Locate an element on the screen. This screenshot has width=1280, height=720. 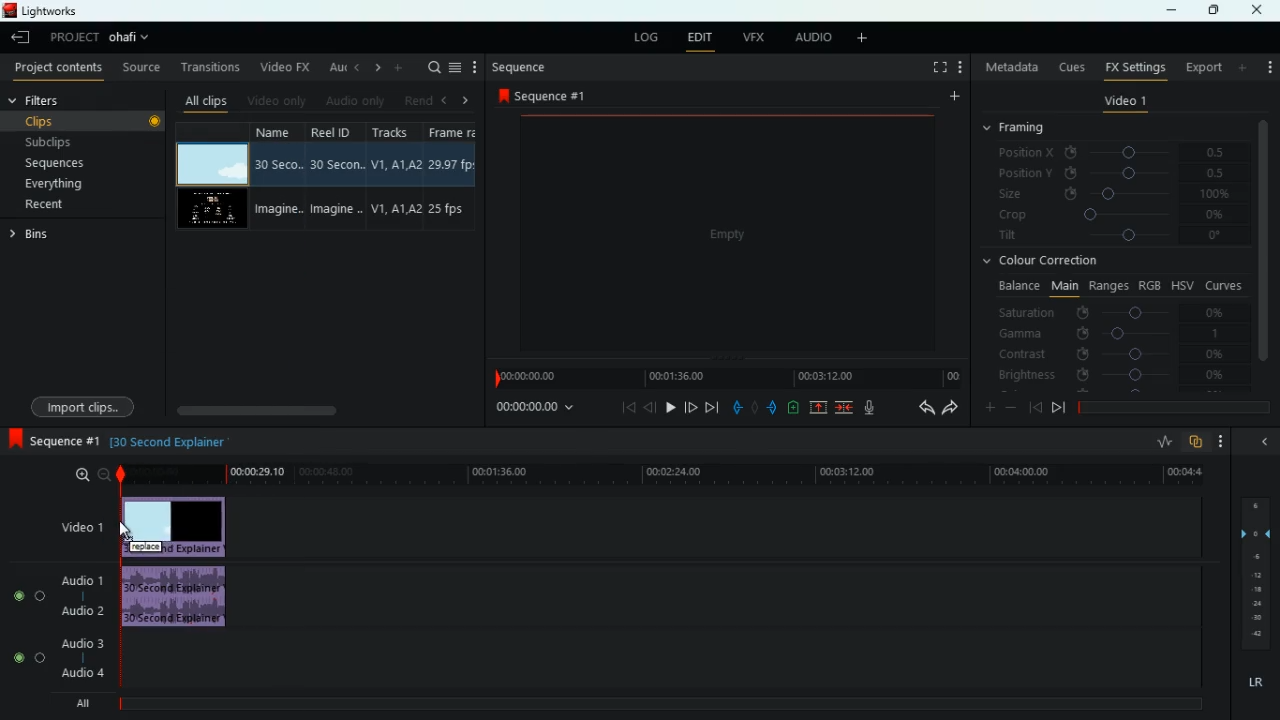
cursor is located at coordinates (125, 528).